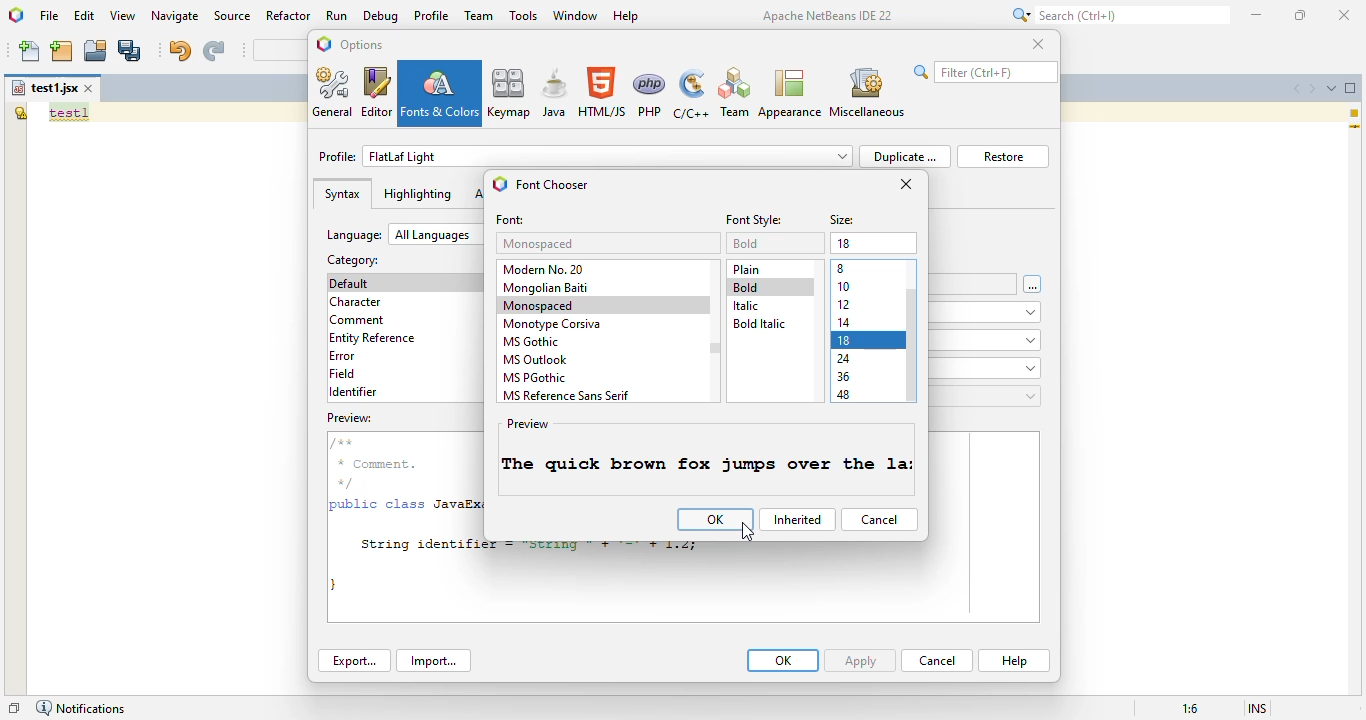 This screenshot has height=720, width=1366. Describe the element at coordinates (1038, 44) in the screenshot. I see `close` at that location.